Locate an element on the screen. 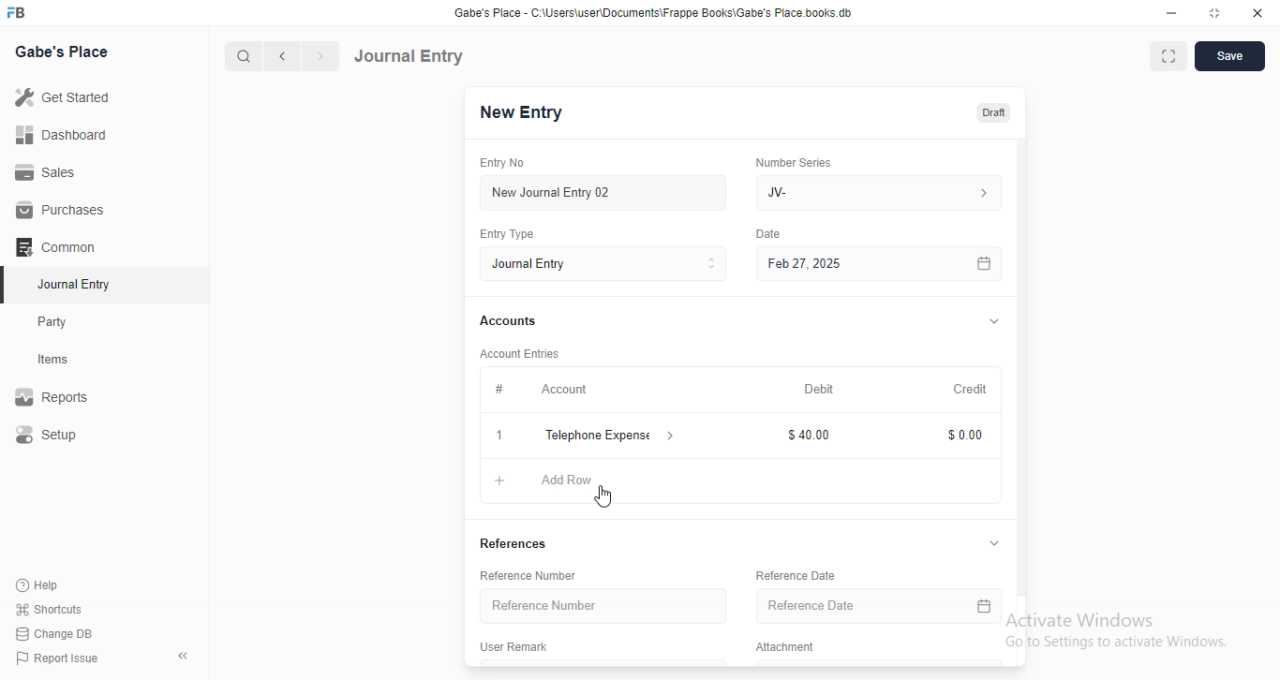 The image size is (1280, 680). ‘User Remark is located at coordinates (515, 645).